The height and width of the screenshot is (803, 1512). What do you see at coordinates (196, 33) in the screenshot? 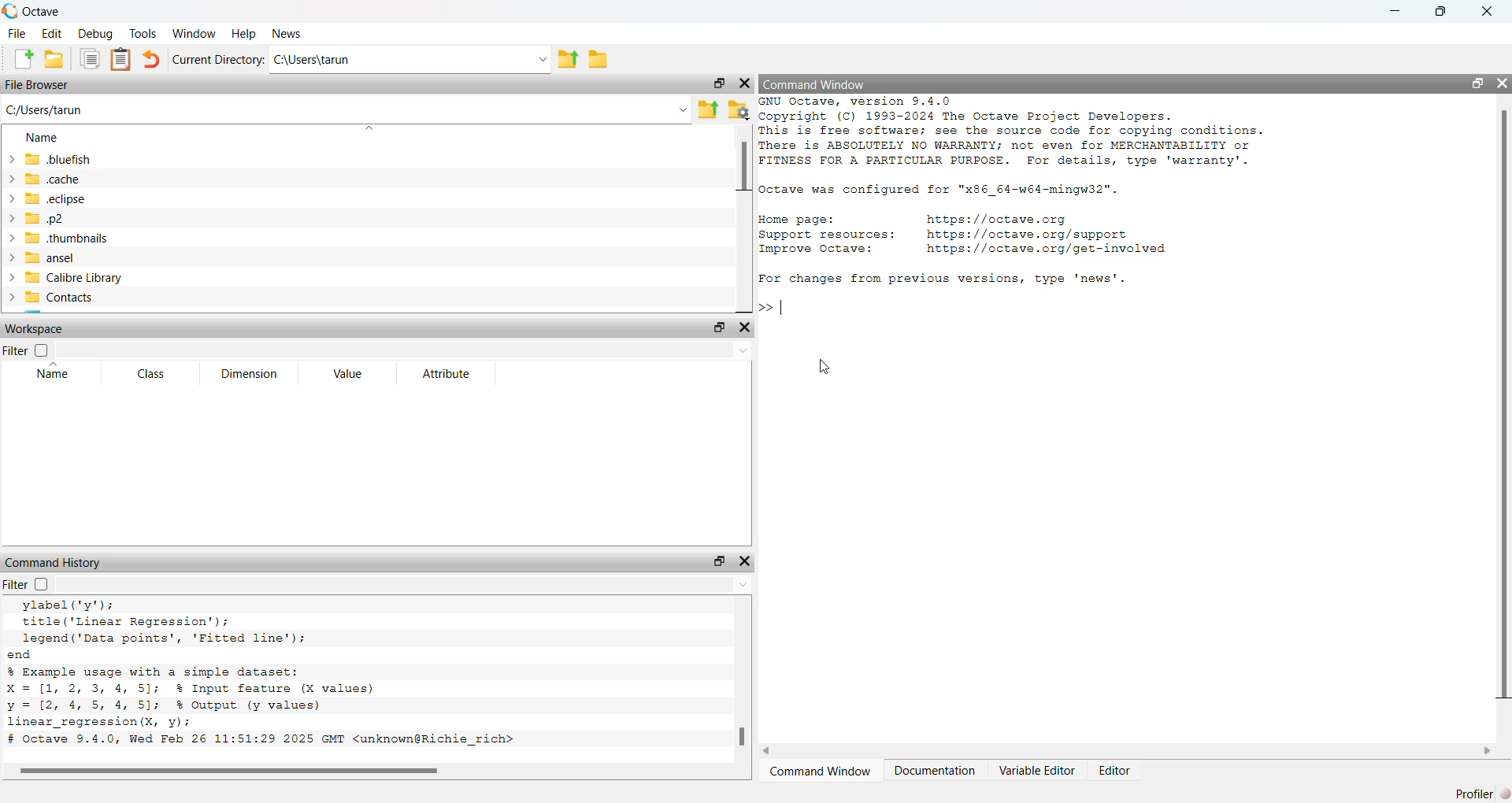
I see `window` at bounding box center [196, 33].